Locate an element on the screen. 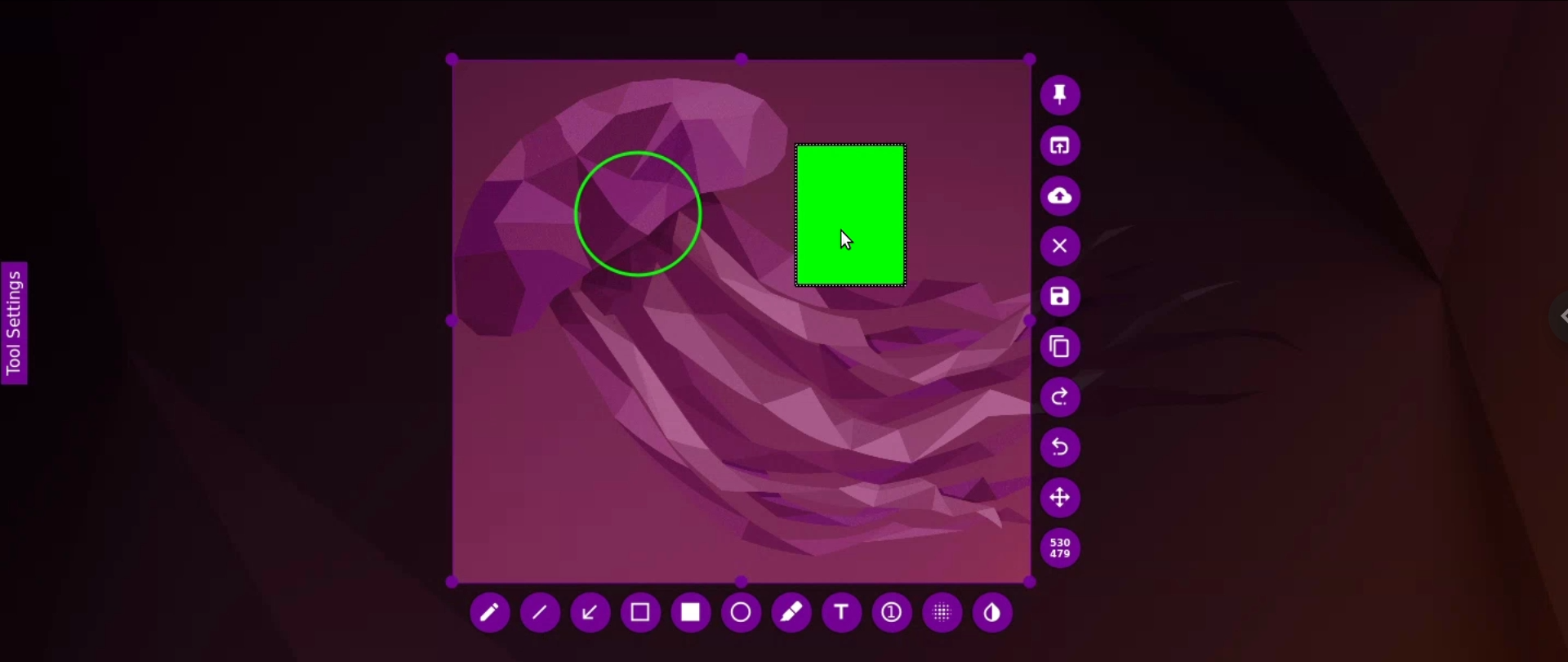  leave image is located at coordinates (1063, 248).